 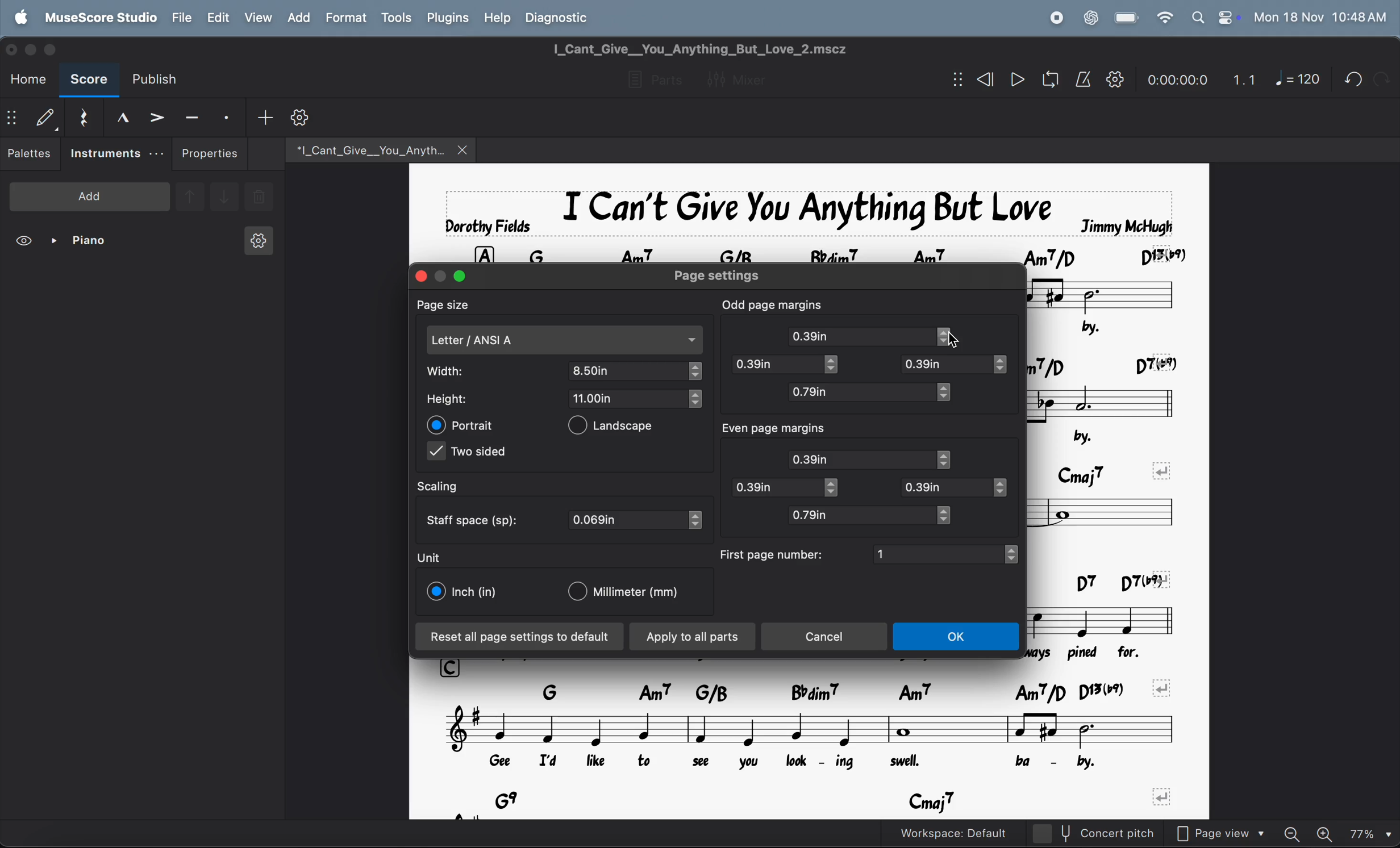 I want to click on zoom in, so click(x=1327, y=832).